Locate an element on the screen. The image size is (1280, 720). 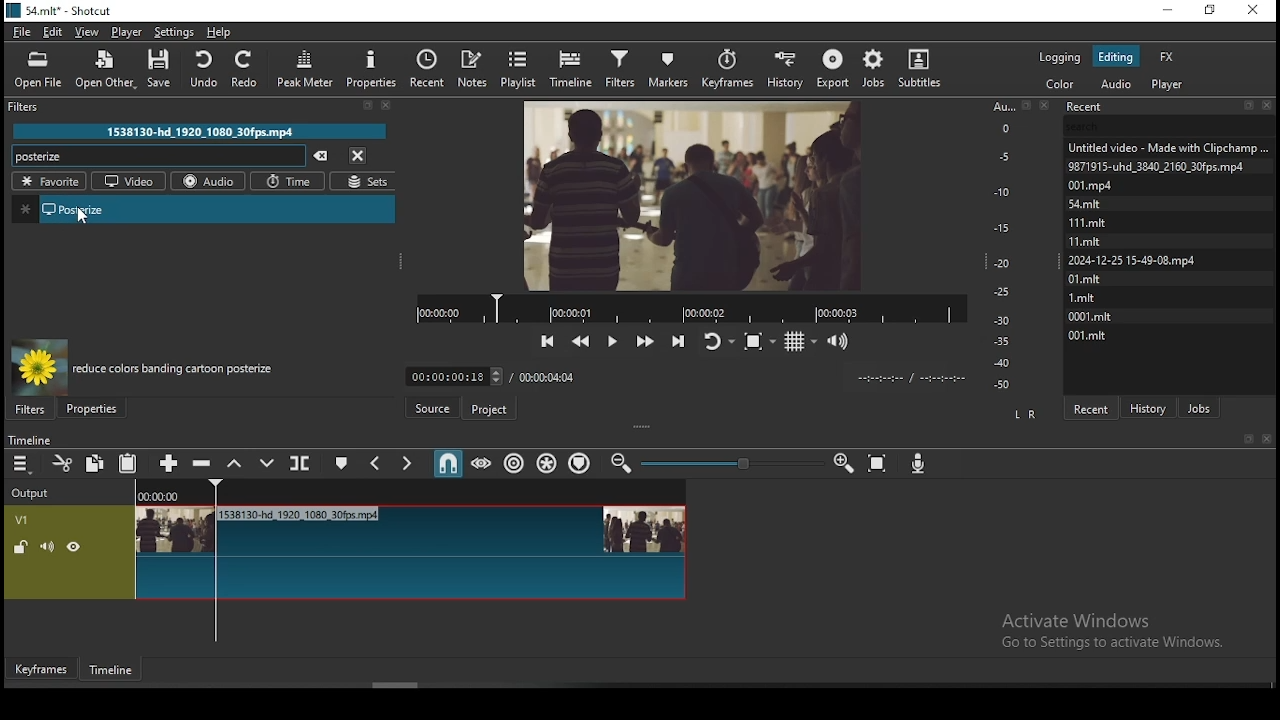
toggle zoom is located at coordinates (759, 339).